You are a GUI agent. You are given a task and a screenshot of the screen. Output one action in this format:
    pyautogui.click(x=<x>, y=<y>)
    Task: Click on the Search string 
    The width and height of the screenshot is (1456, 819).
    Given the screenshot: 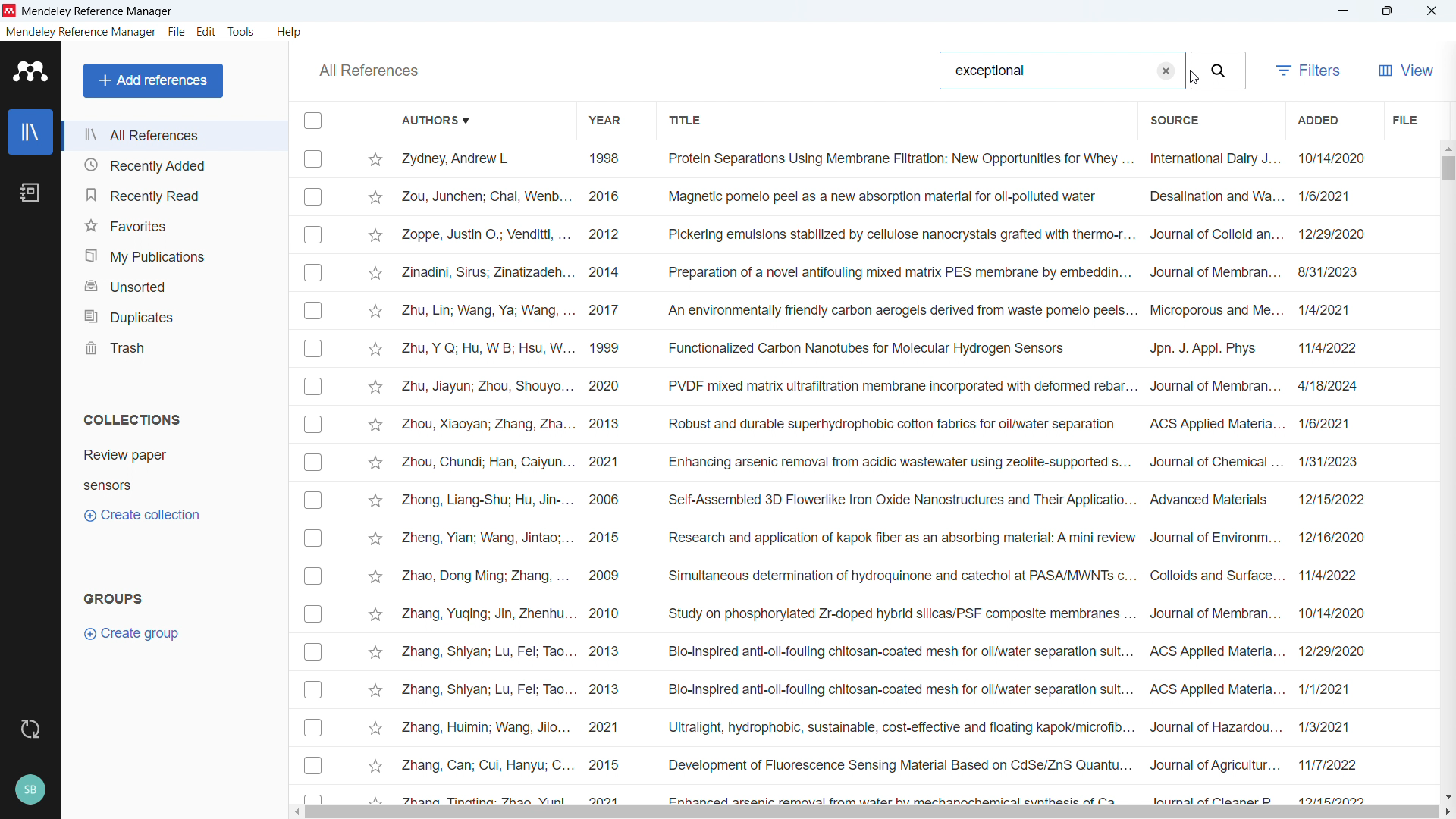 What is the action you would take?
    pyautogui.click(x=990, y=71)
    